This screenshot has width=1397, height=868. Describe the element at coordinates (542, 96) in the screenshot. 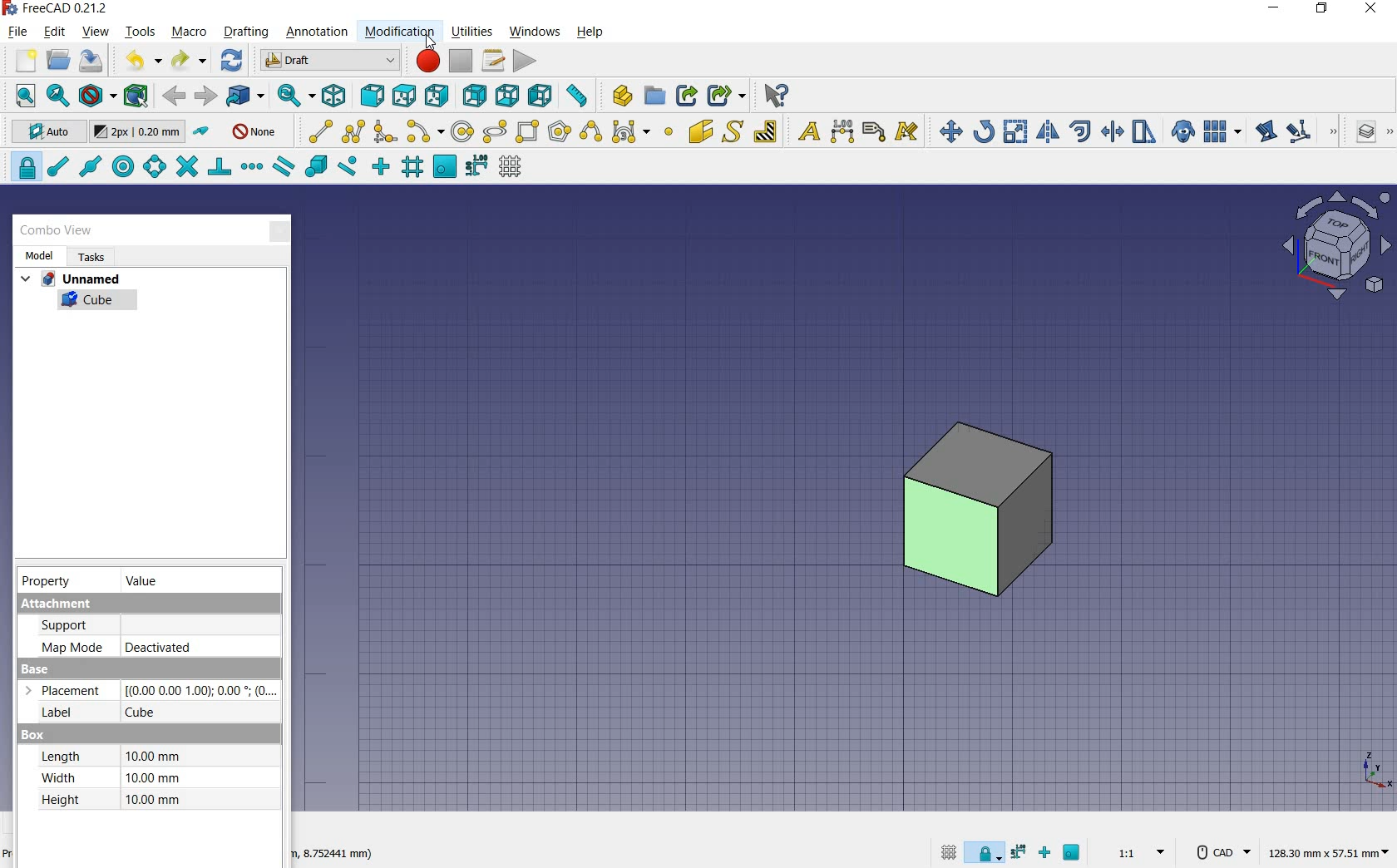

I see `left` at that location.